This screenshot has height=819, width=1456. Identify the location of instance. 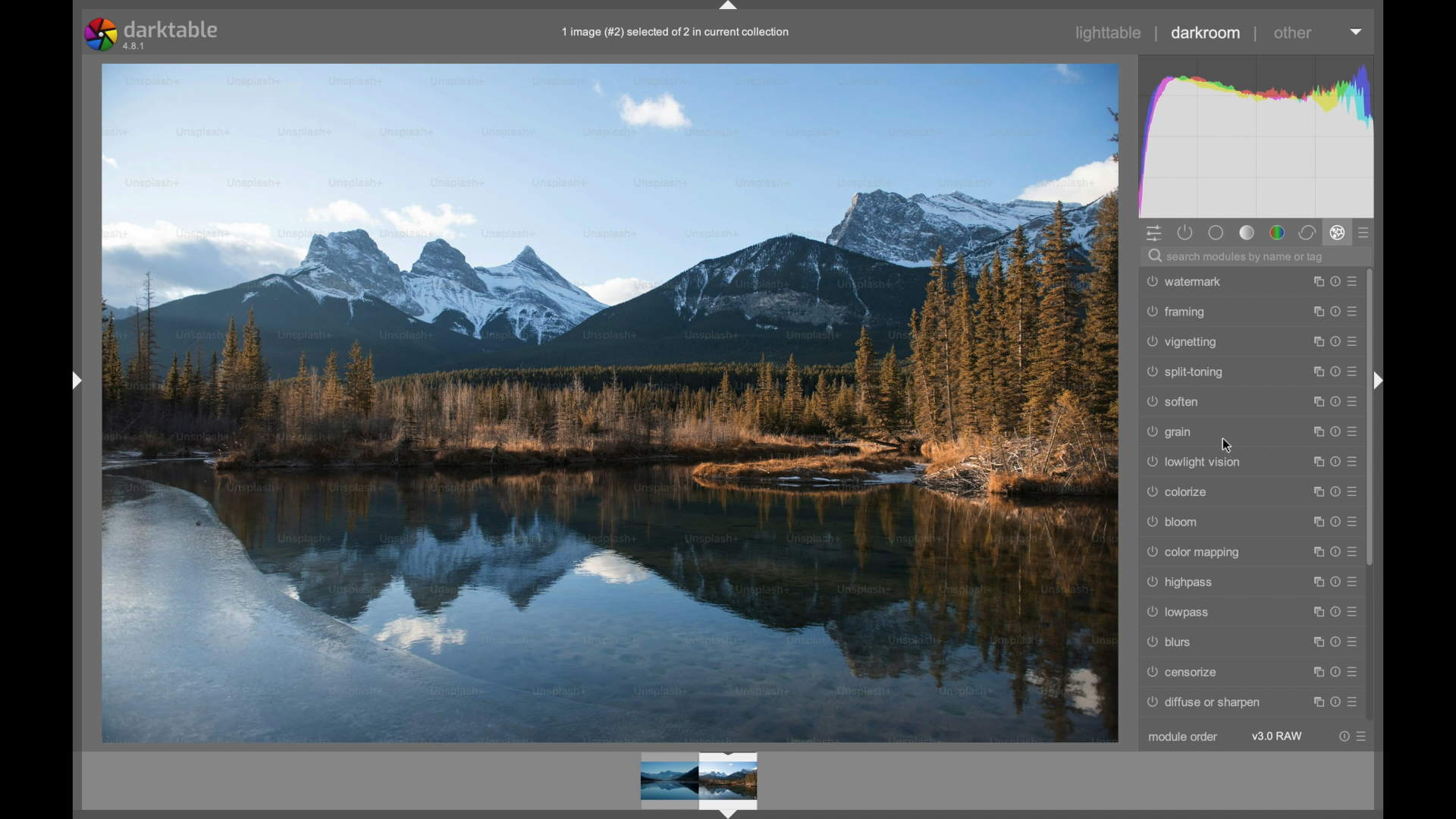
(1314, 342).